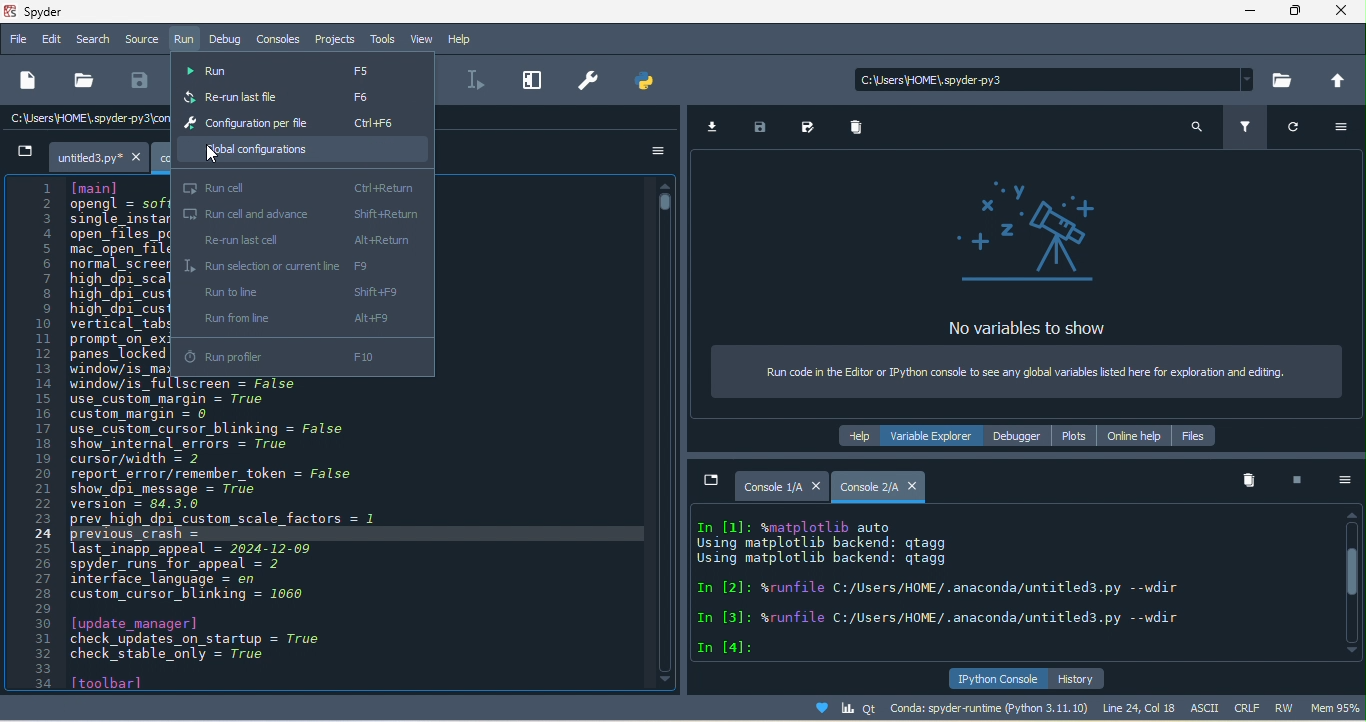 The image size is (1366, 722). Describe the element at coordinates (461, 39) in the screenshot. I see `help` at that location.